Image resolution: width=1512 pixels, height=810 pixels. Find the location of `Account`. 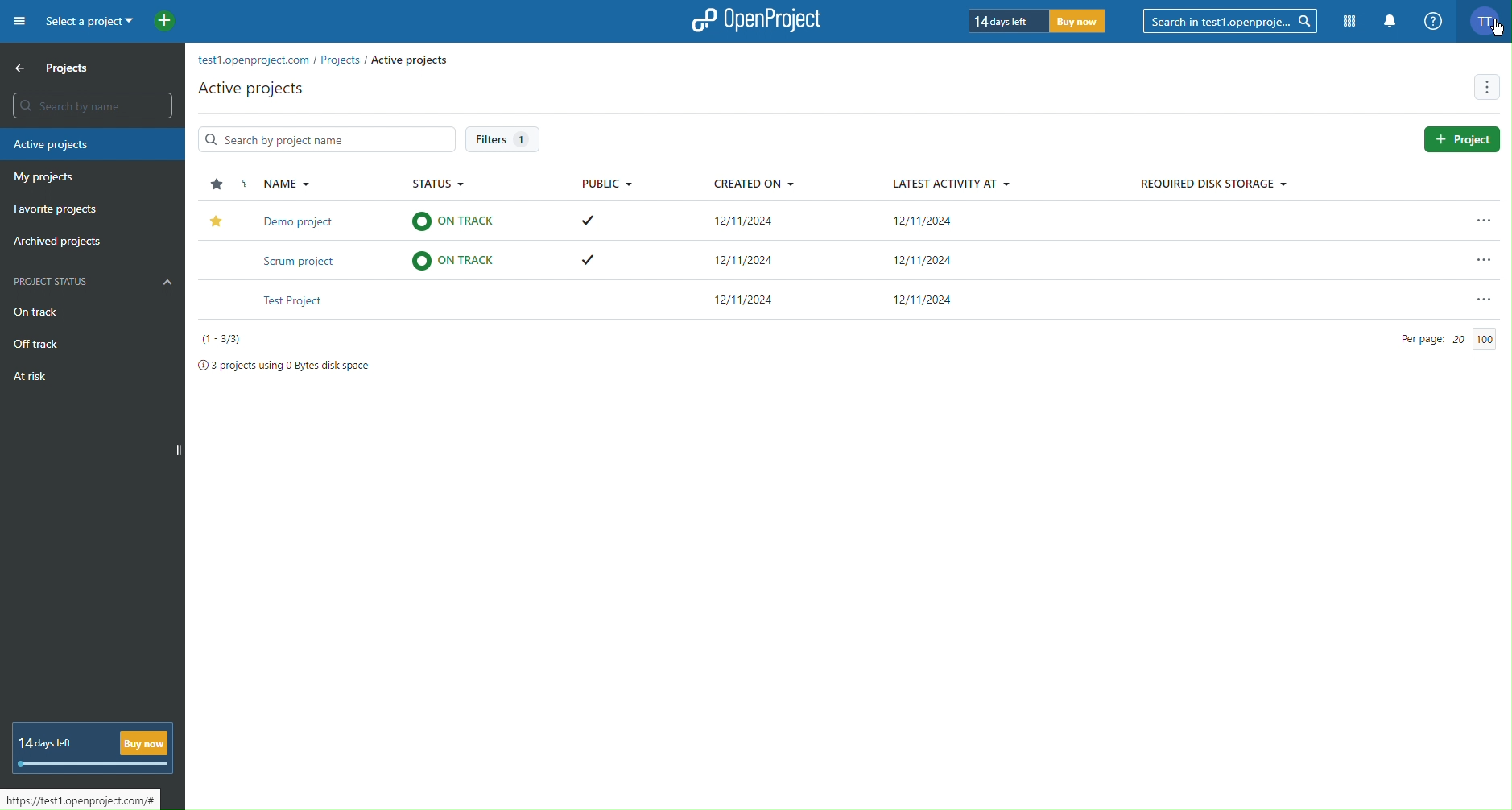

Account is located at coordinates (1487, 21).